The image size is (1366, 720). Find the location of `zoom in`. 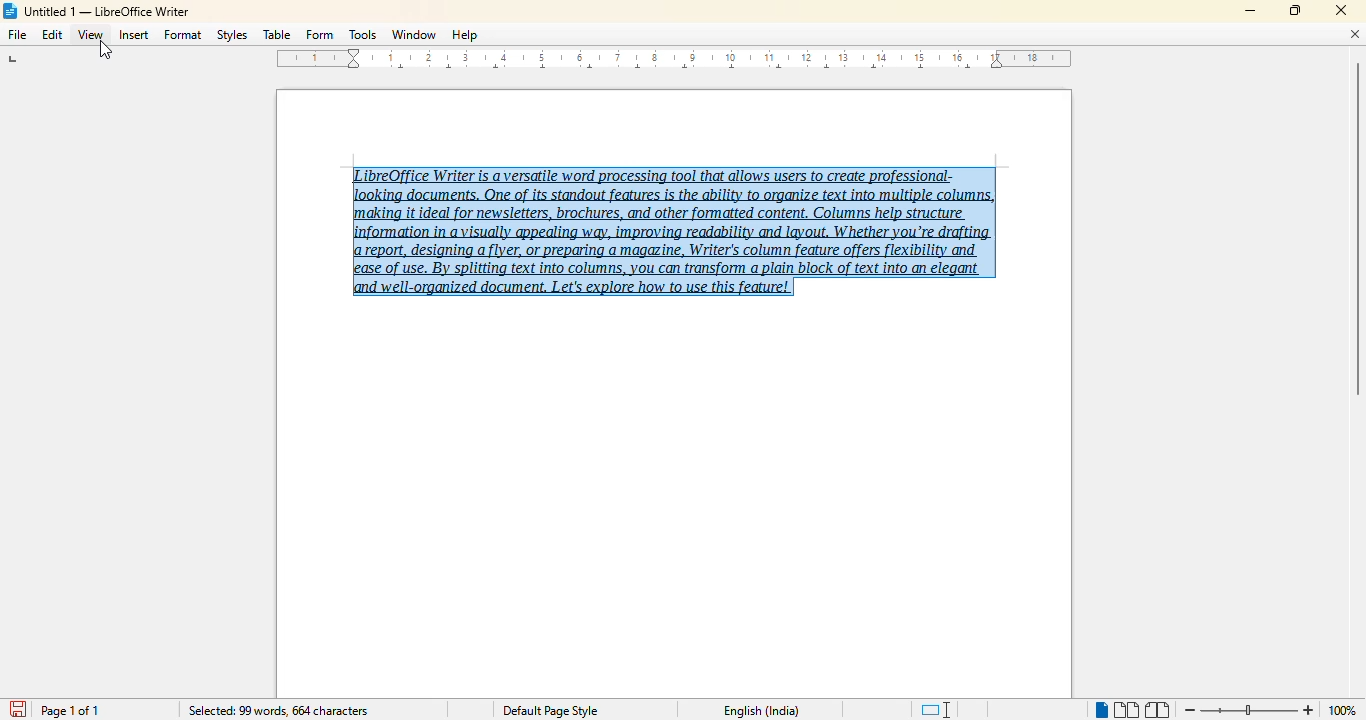

zoom in is located at coordinates (1307, 710).